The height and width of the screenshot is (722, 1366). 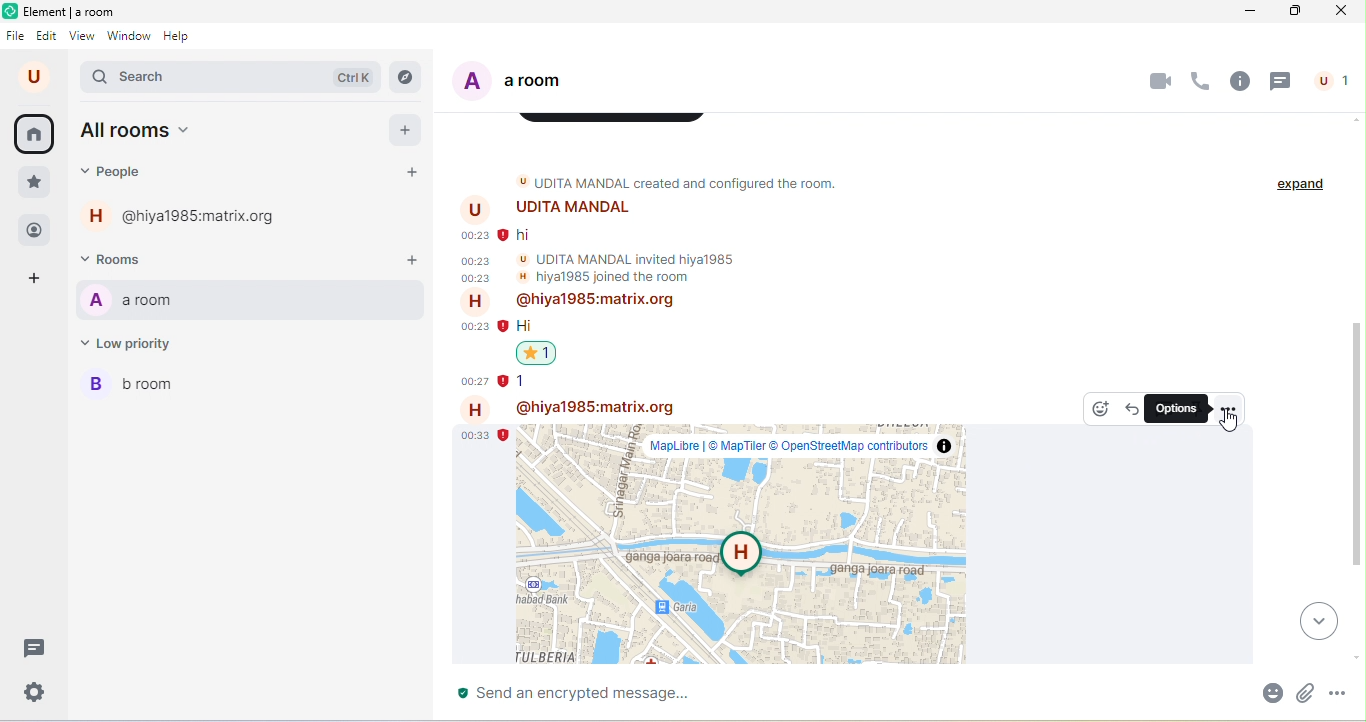 I want to click on emoji, so click(x=1269, y=692).